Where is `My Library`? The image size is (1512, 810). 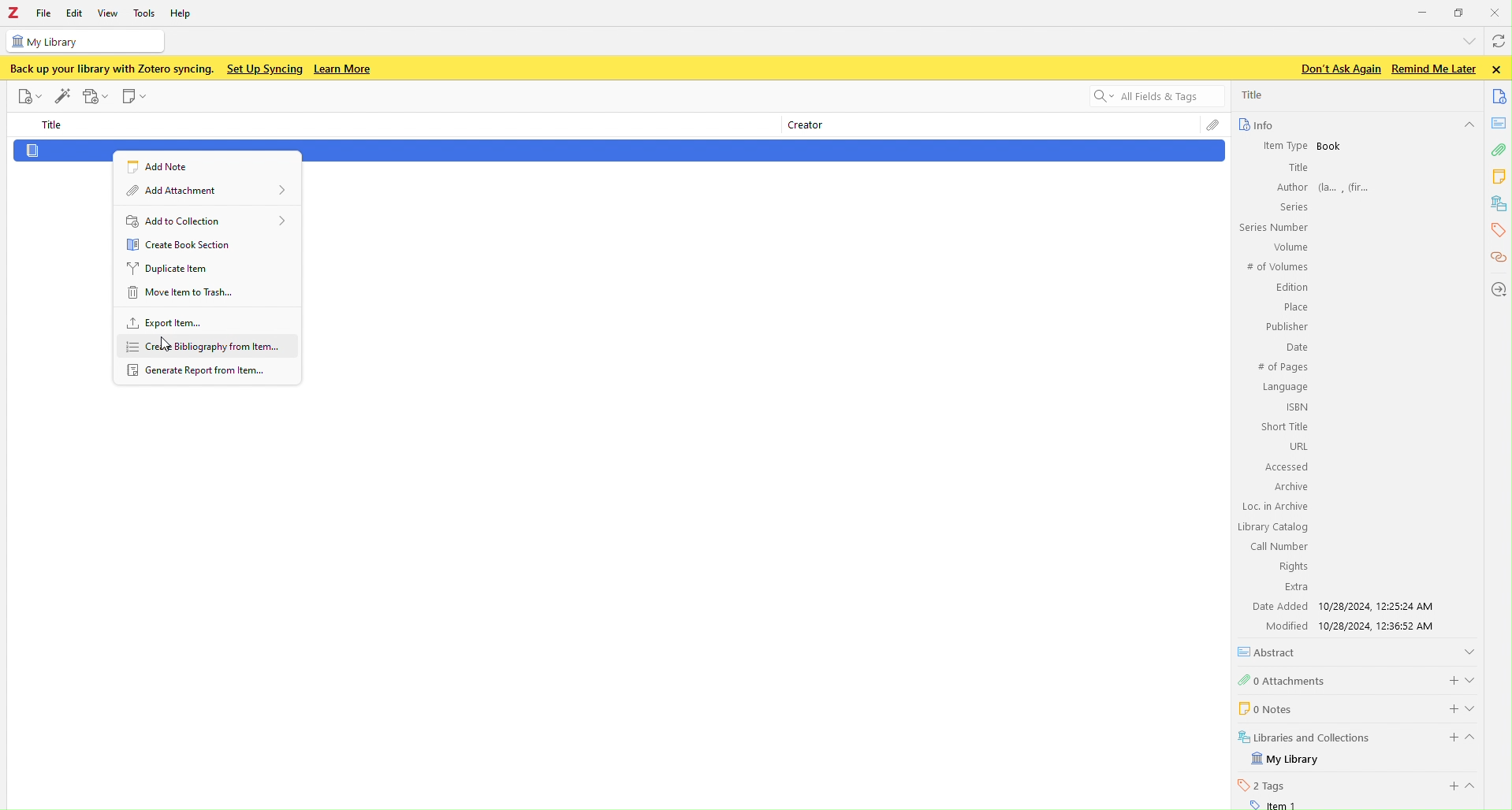
My Library is located at coordinates (1287, 760).